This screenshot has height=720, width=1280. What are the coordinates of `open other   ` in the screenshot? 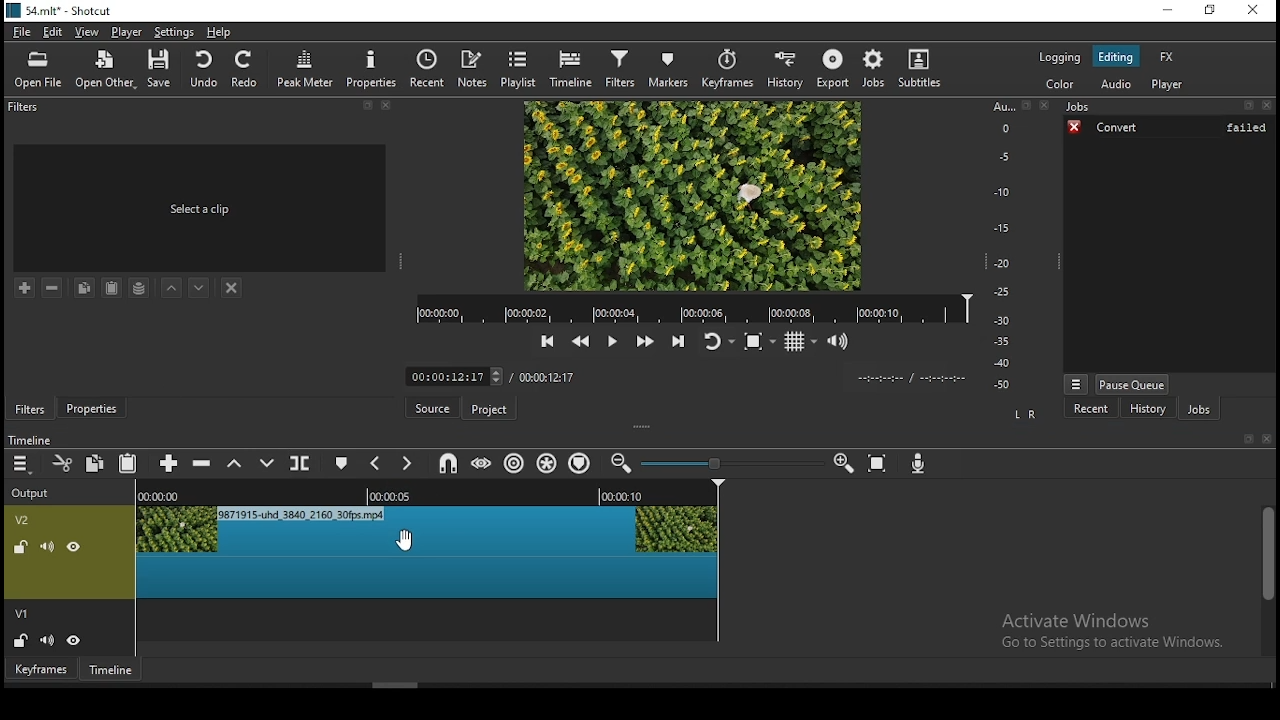 It's located at (104, 69).